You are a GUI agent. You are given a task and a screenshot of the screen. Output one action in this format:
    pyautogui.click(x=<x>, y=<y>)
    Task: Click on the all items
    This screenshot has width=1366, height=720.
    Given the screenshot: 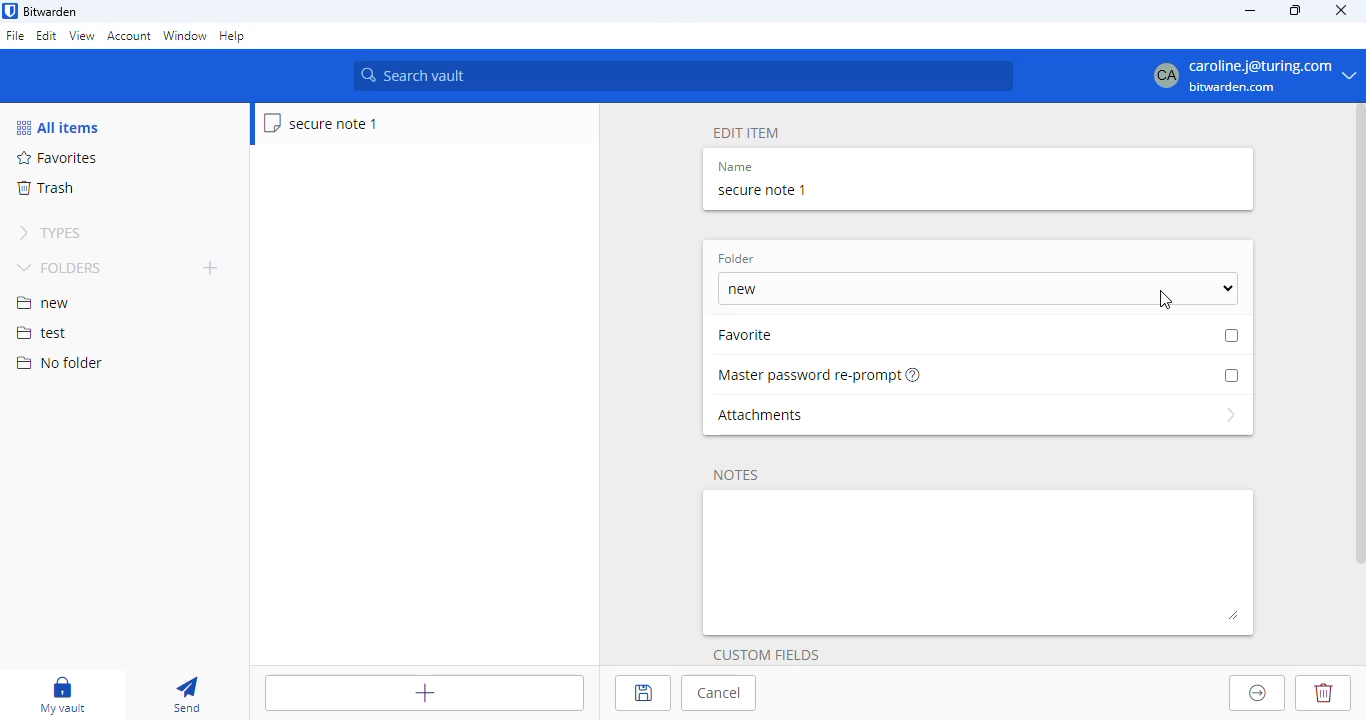 What is the action you would take?
    pyautogui.click(x=57, y=127)
    